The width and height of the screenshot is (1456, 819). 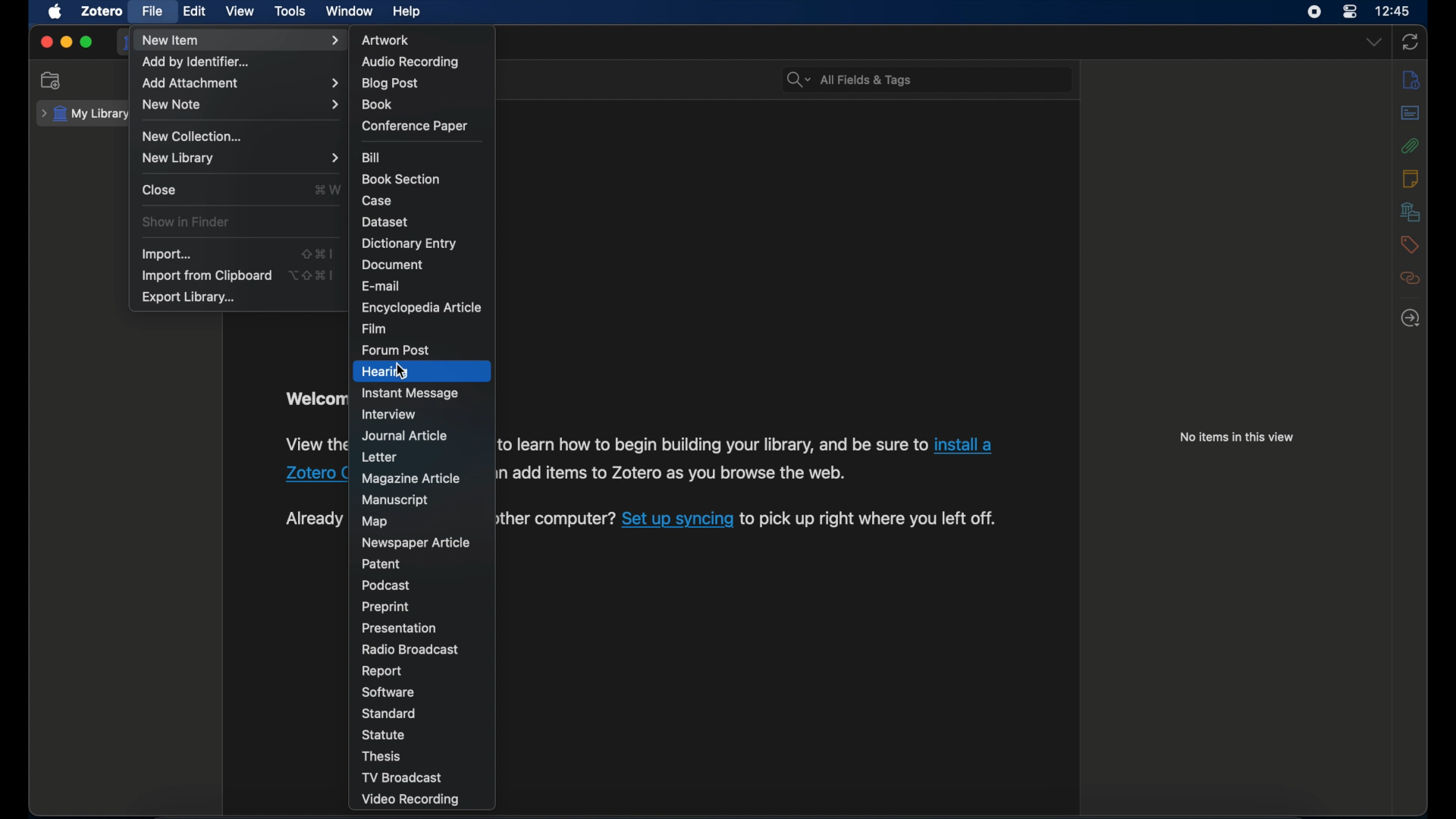 I want to click on book, so click(x=377, y=104).